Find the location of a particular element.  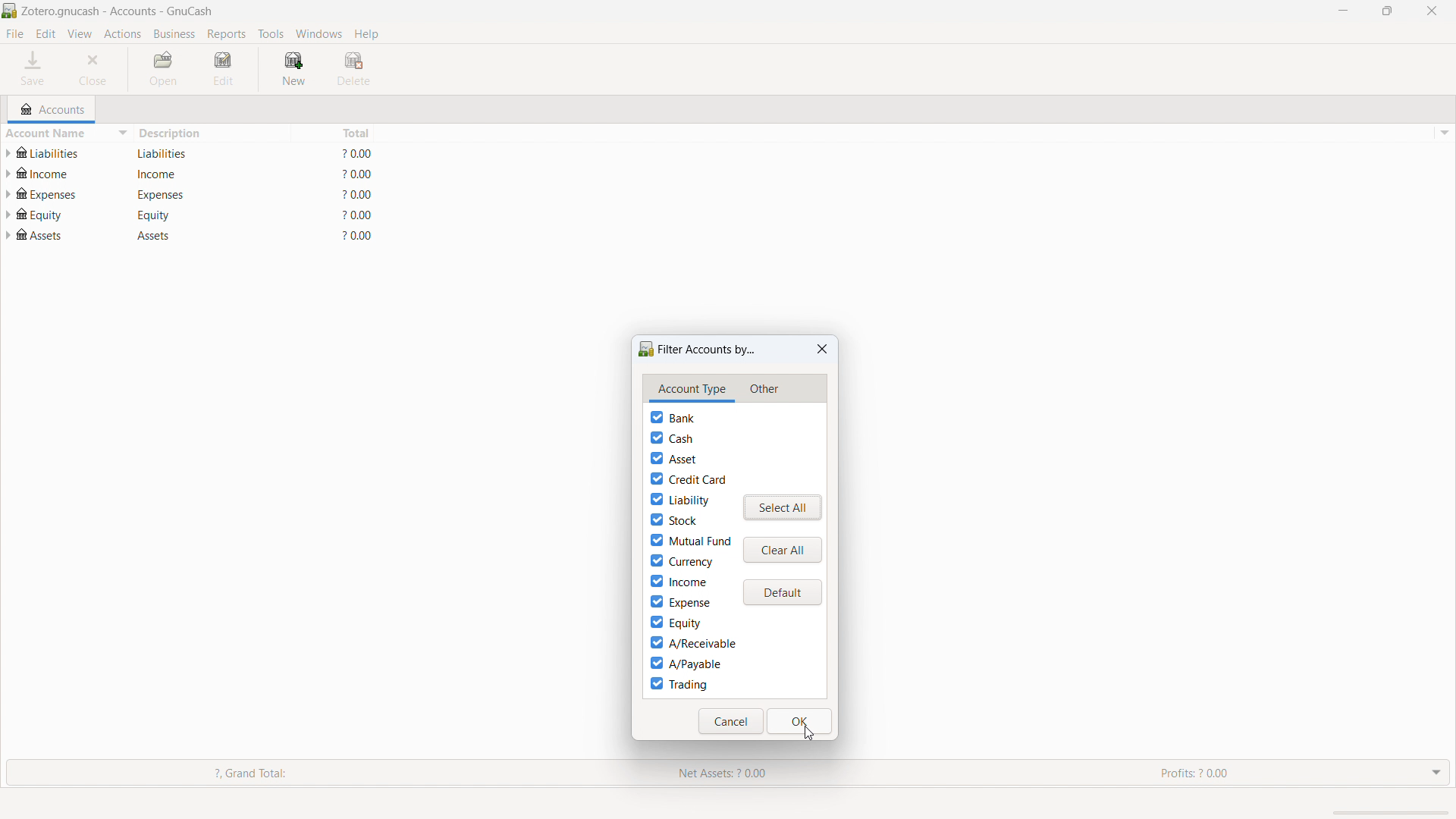

account name is located at coordinates (55, 217).